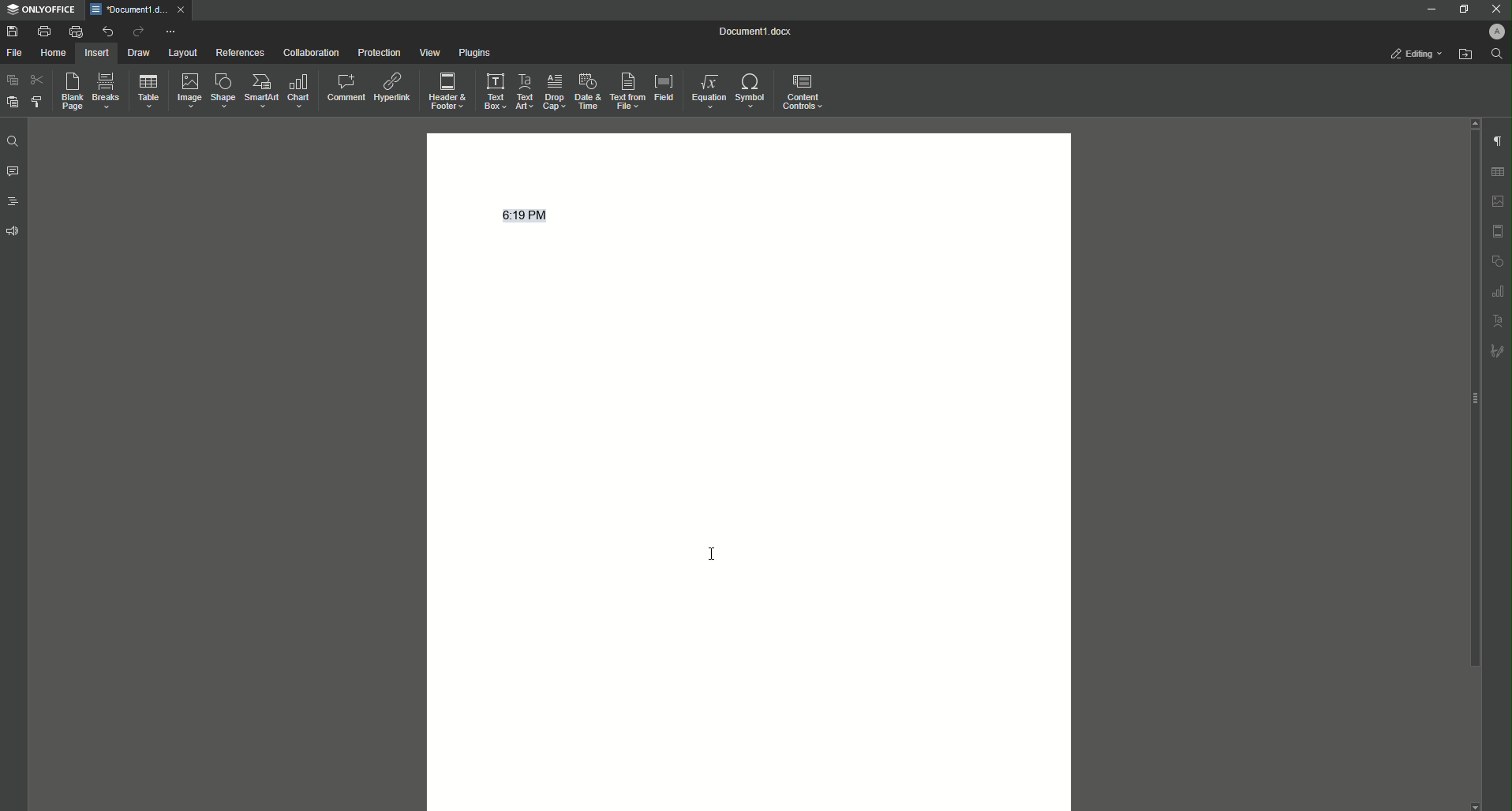 Image resolution: width=1512 pixels, height=811 pixels. I want to click on Collaboration, so click(308, 51).